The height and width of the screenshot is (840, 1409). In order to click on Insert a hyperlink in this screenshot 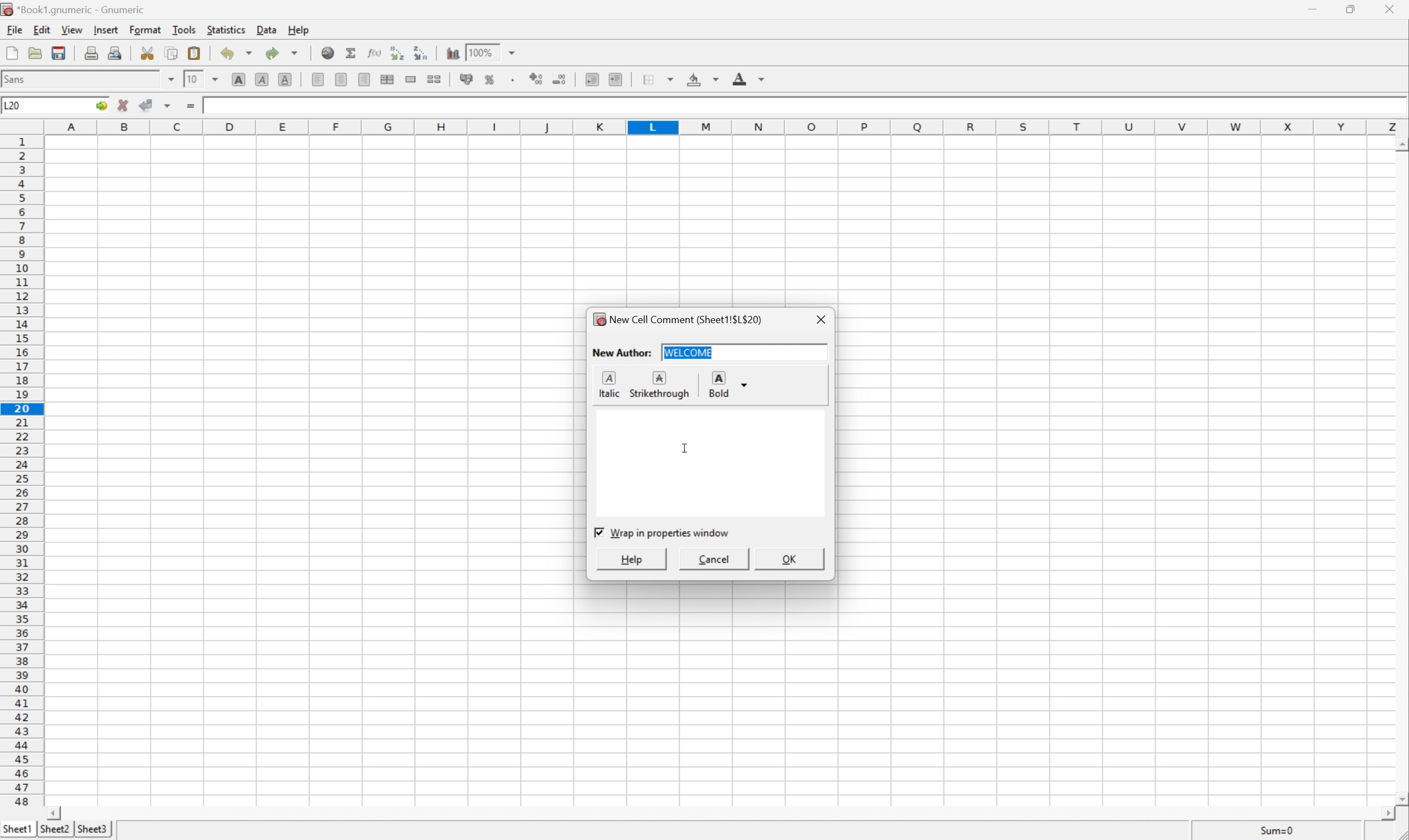, I will do `click(328, 53)`.